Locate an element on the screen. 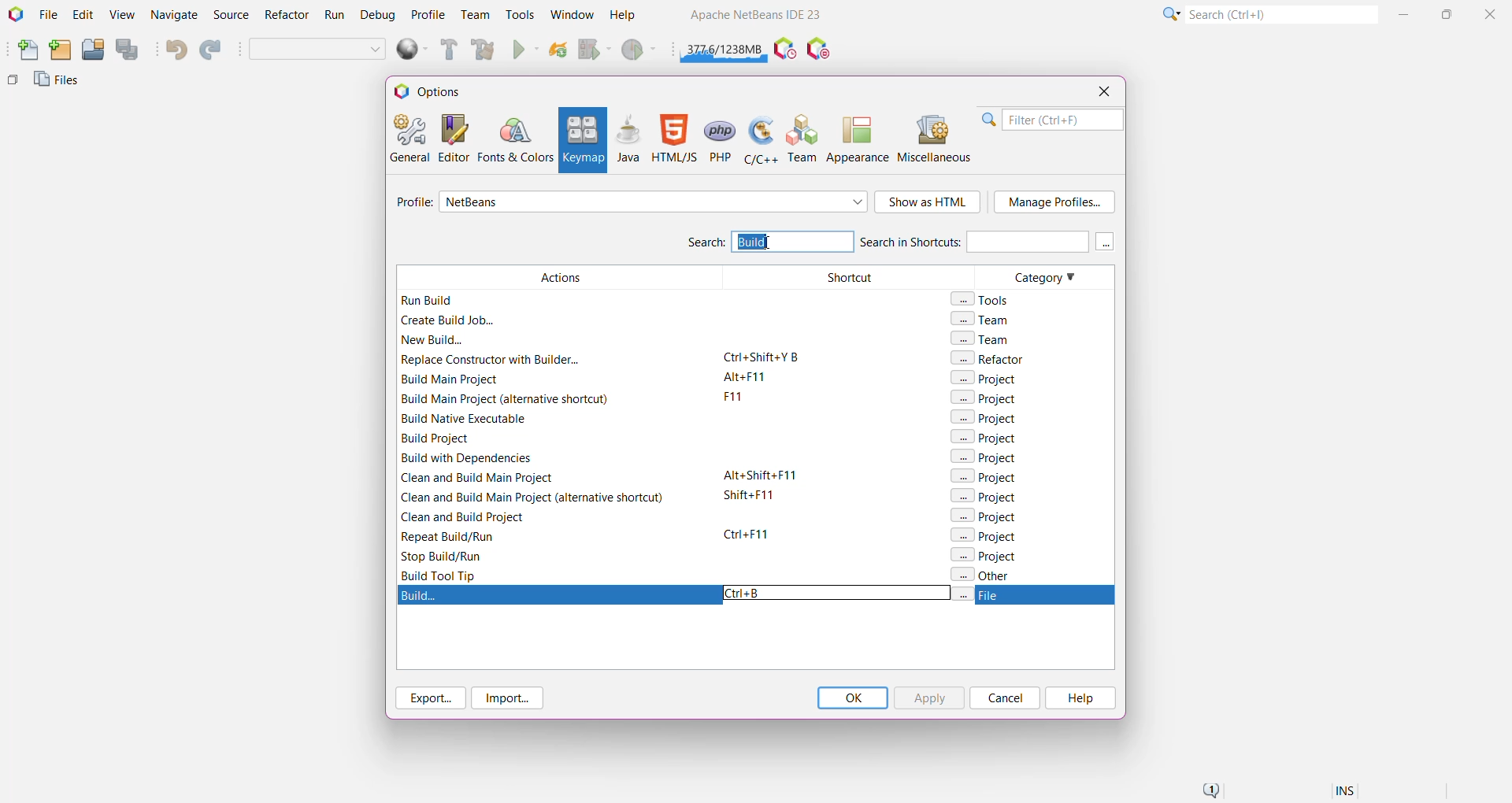 The height and width of the screenshot is (803, 1512). Team is located at coordinates (474, 15).